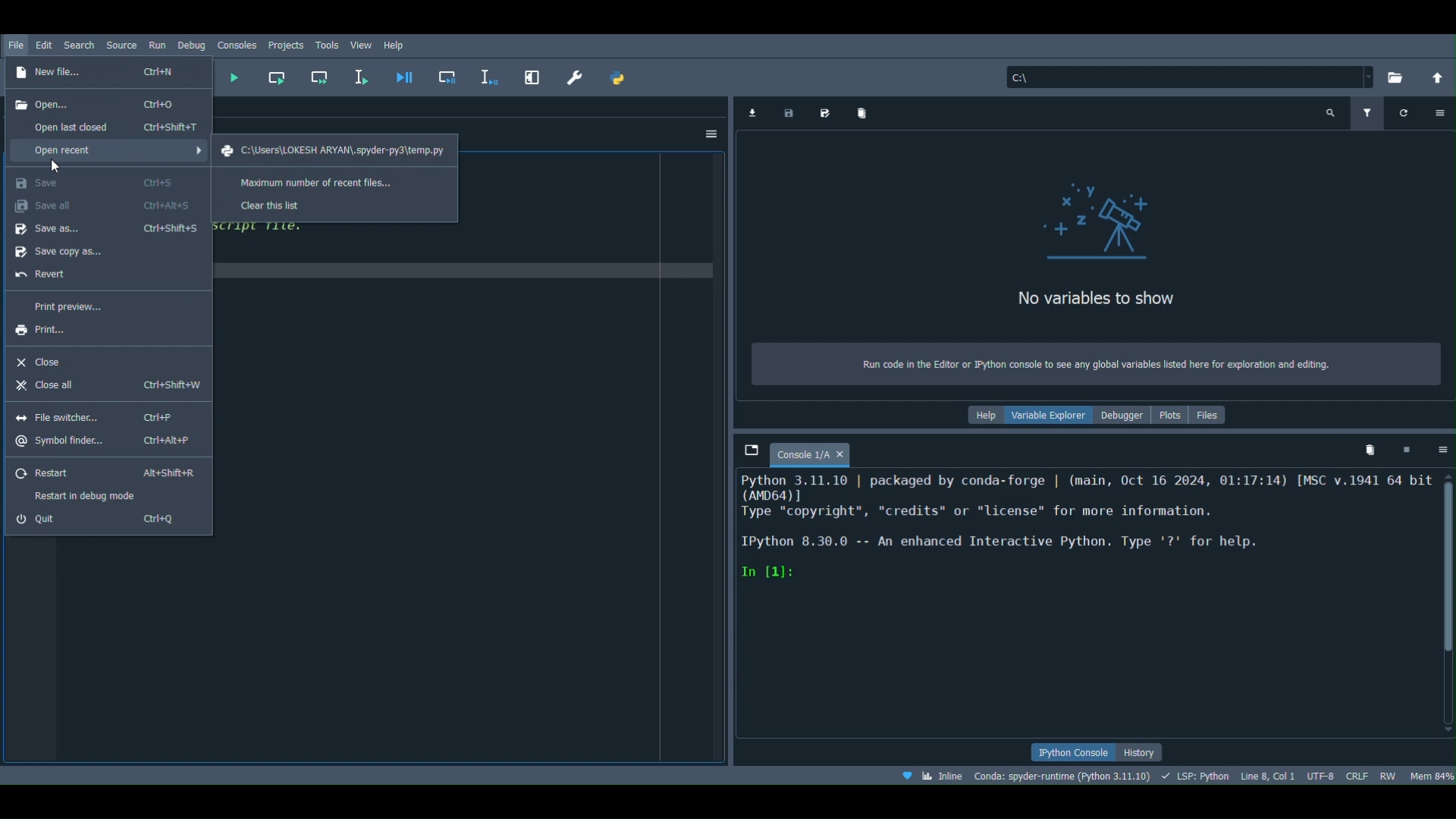 The height and width of the screenshot is (819, 1456). Describe the element at coordinates (237, 45) in the screenshot. I see `Consoles` at that location.